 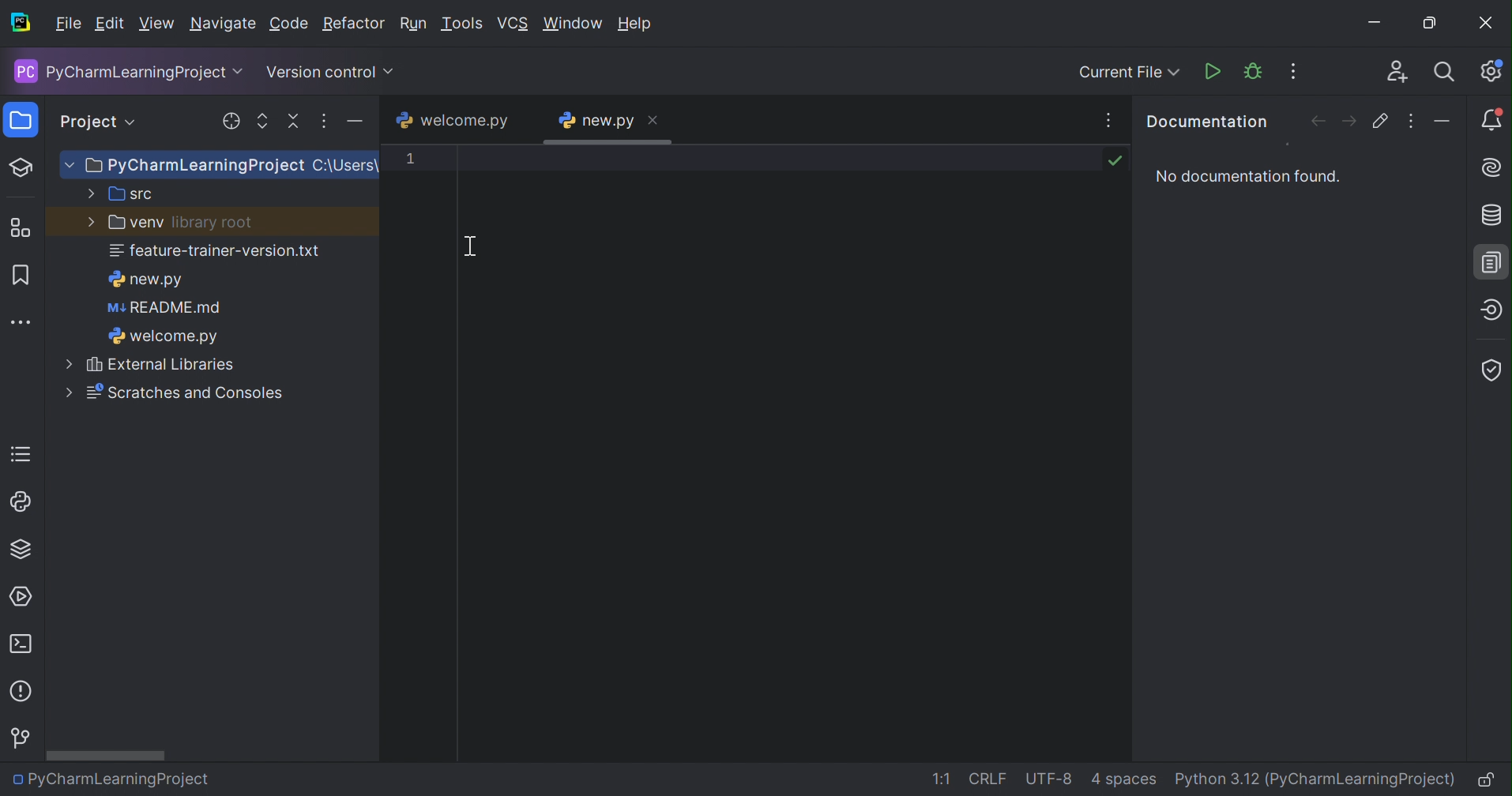 What do you see at coordinates (1381, 121) in the screenshot?
I see `Jump to source` at bounding box center [1381, 121].